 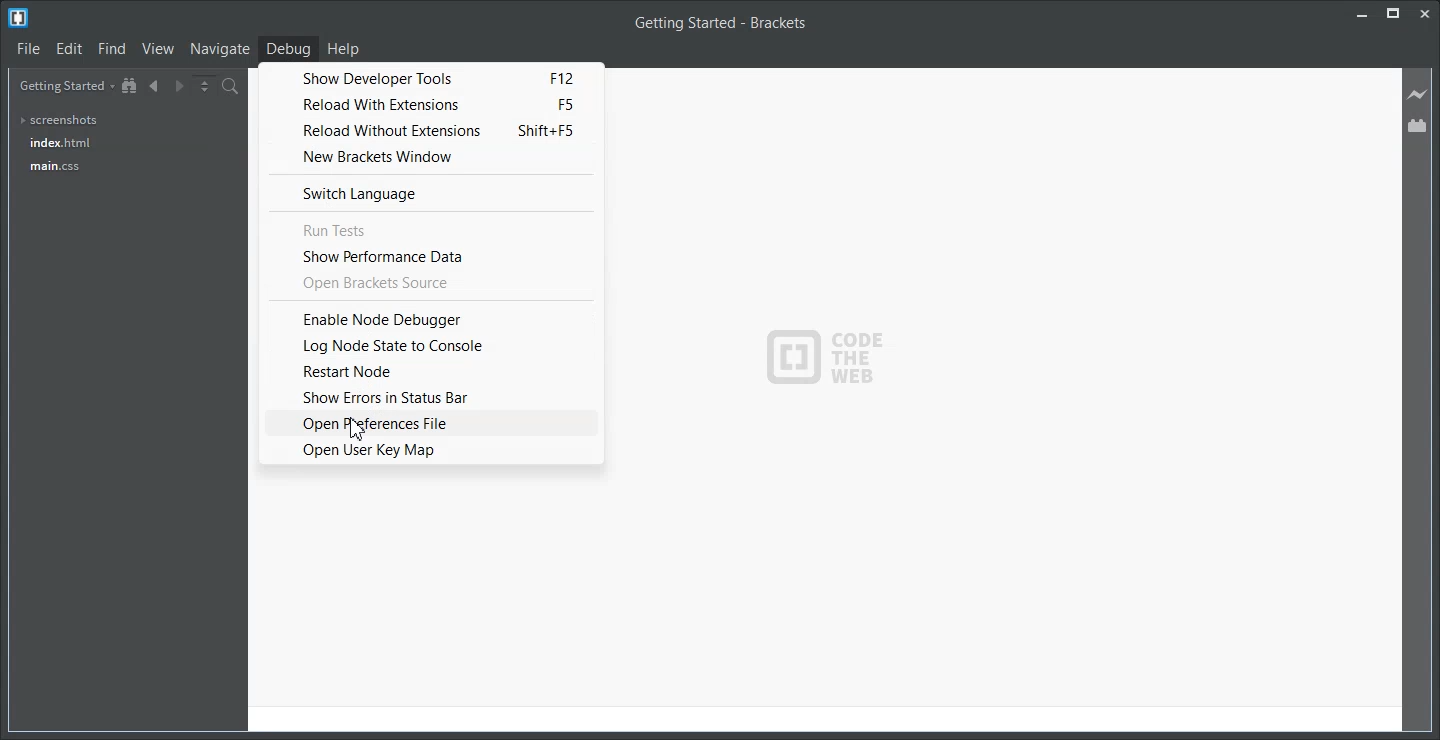 What do you see at coordinates (131, 86) in the screenshot?
I see `Show in the file tree` at bounding box center [131, 86].